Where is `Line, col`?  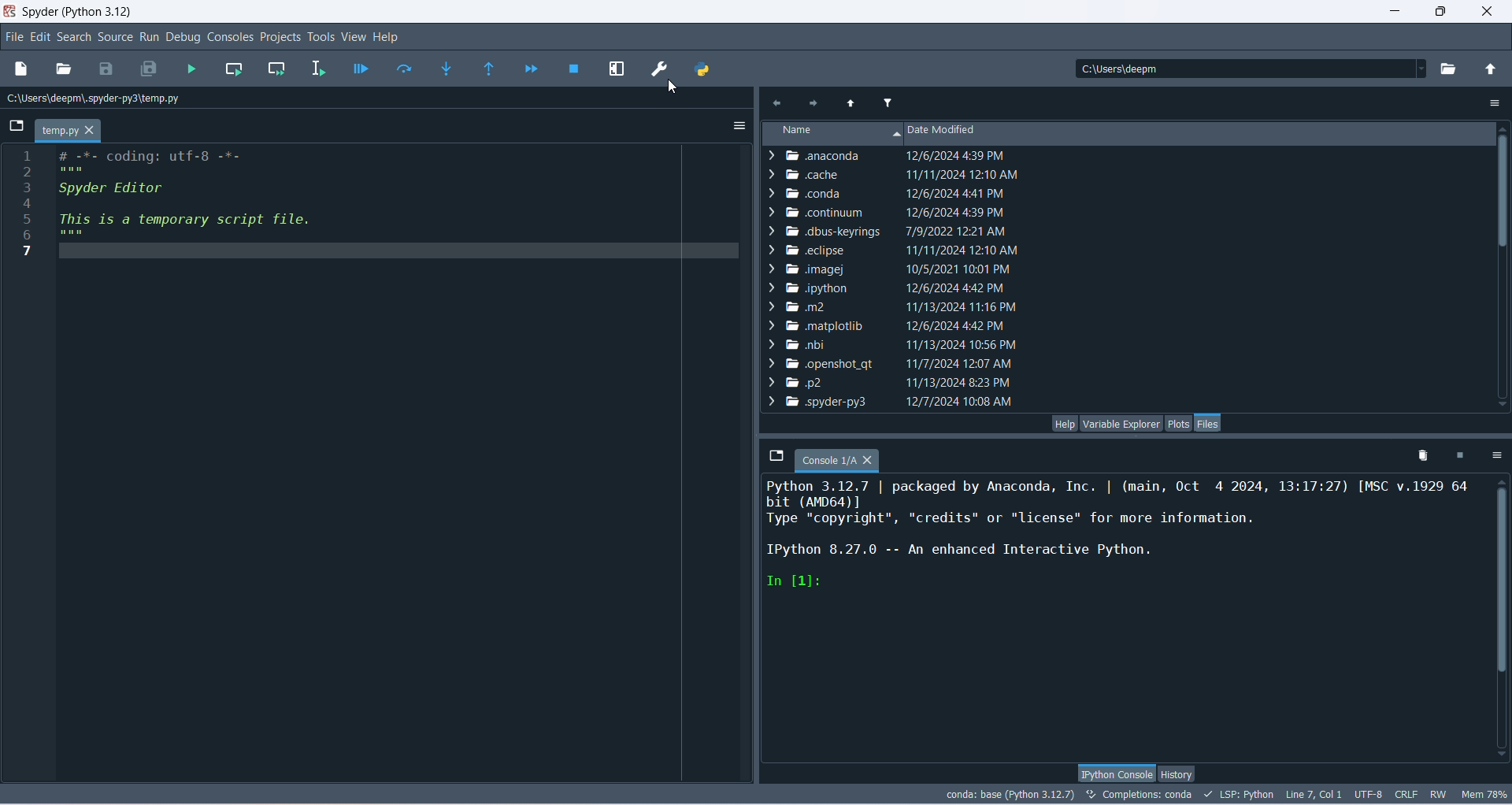 Line, col is located at coordinates (1312, 794).